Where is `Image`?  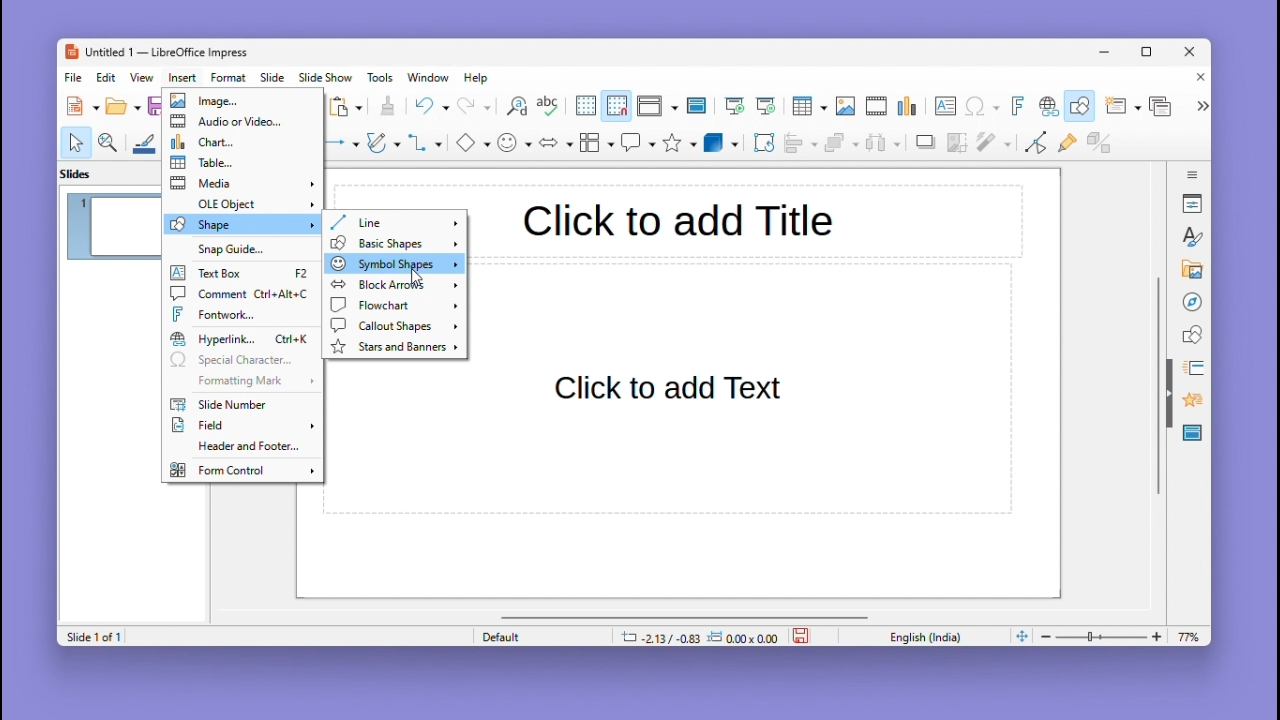
Image is located at coordinates (240, 101).